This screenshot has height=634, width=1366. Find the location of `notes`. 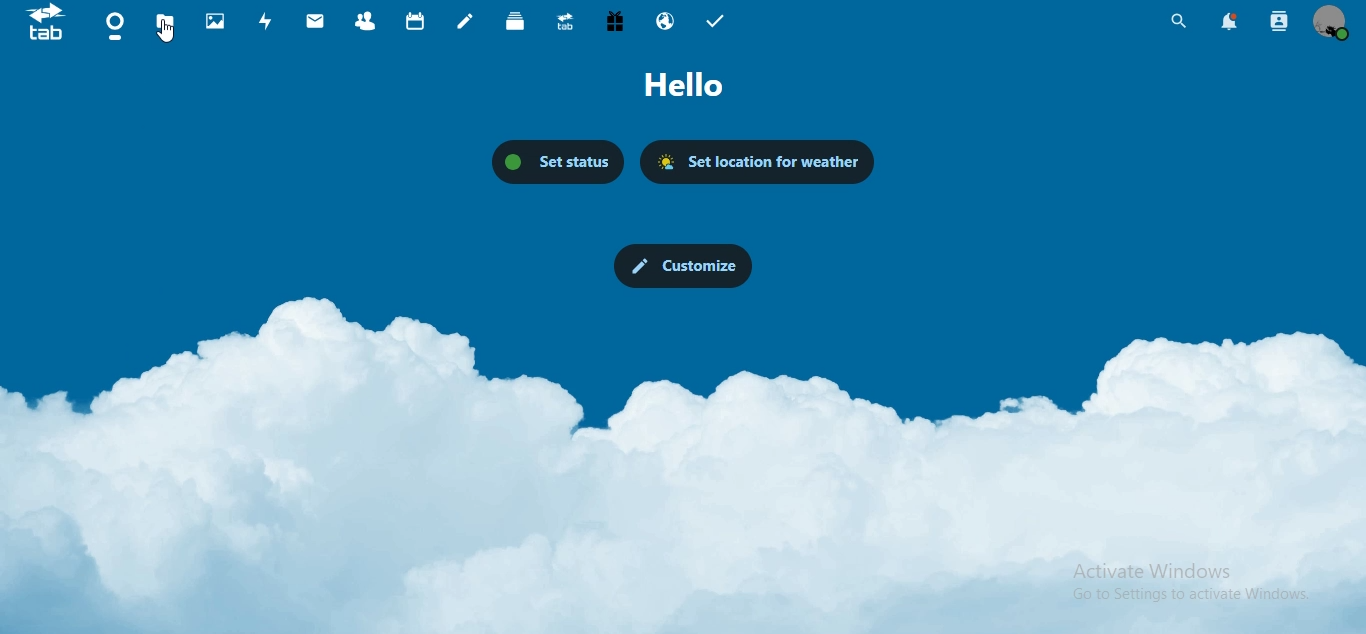

notes is located at coordinates (466, 21).